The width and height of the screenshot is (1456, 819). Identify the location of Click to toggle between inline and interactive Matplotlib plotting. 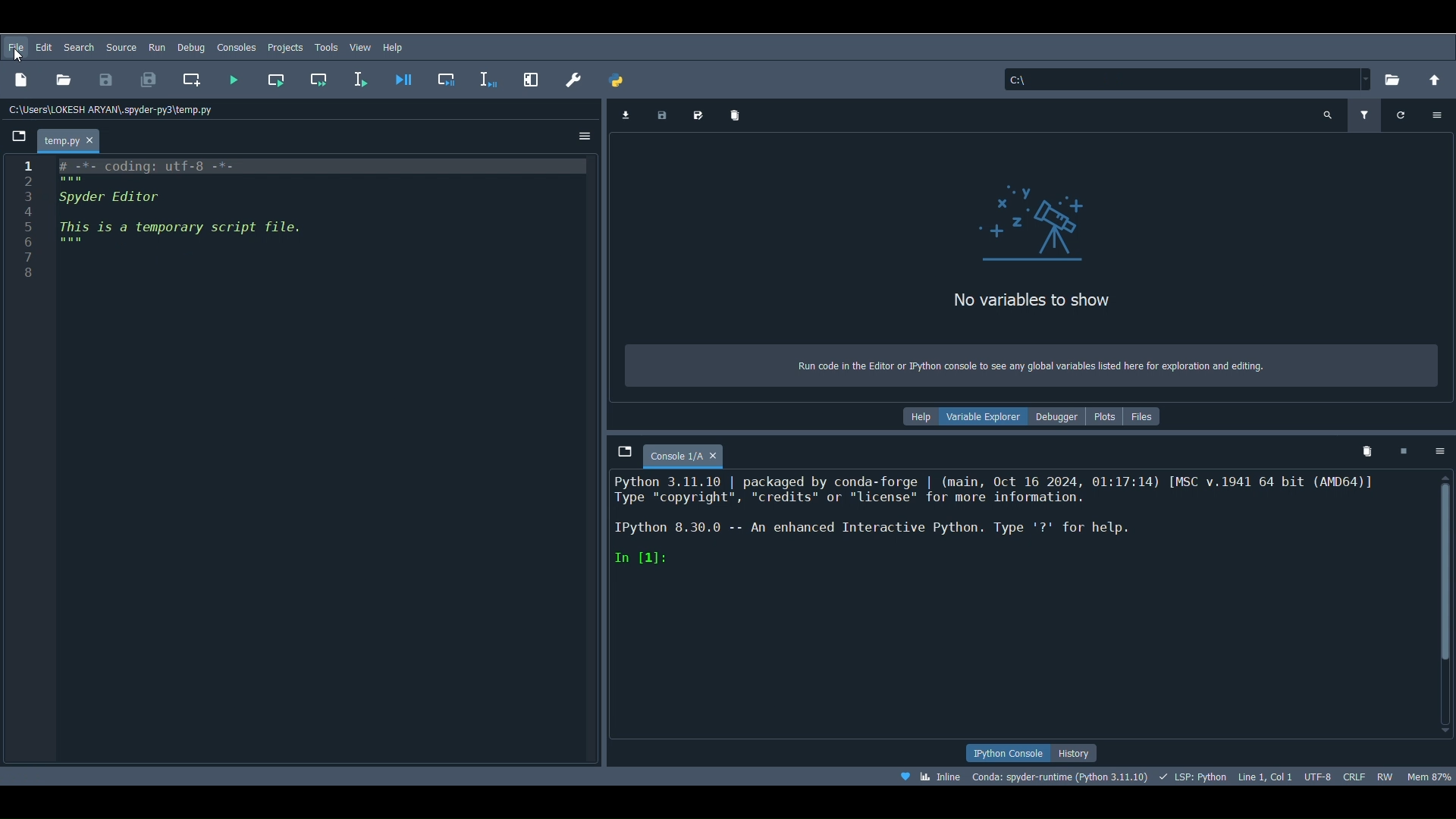
(933, 777).